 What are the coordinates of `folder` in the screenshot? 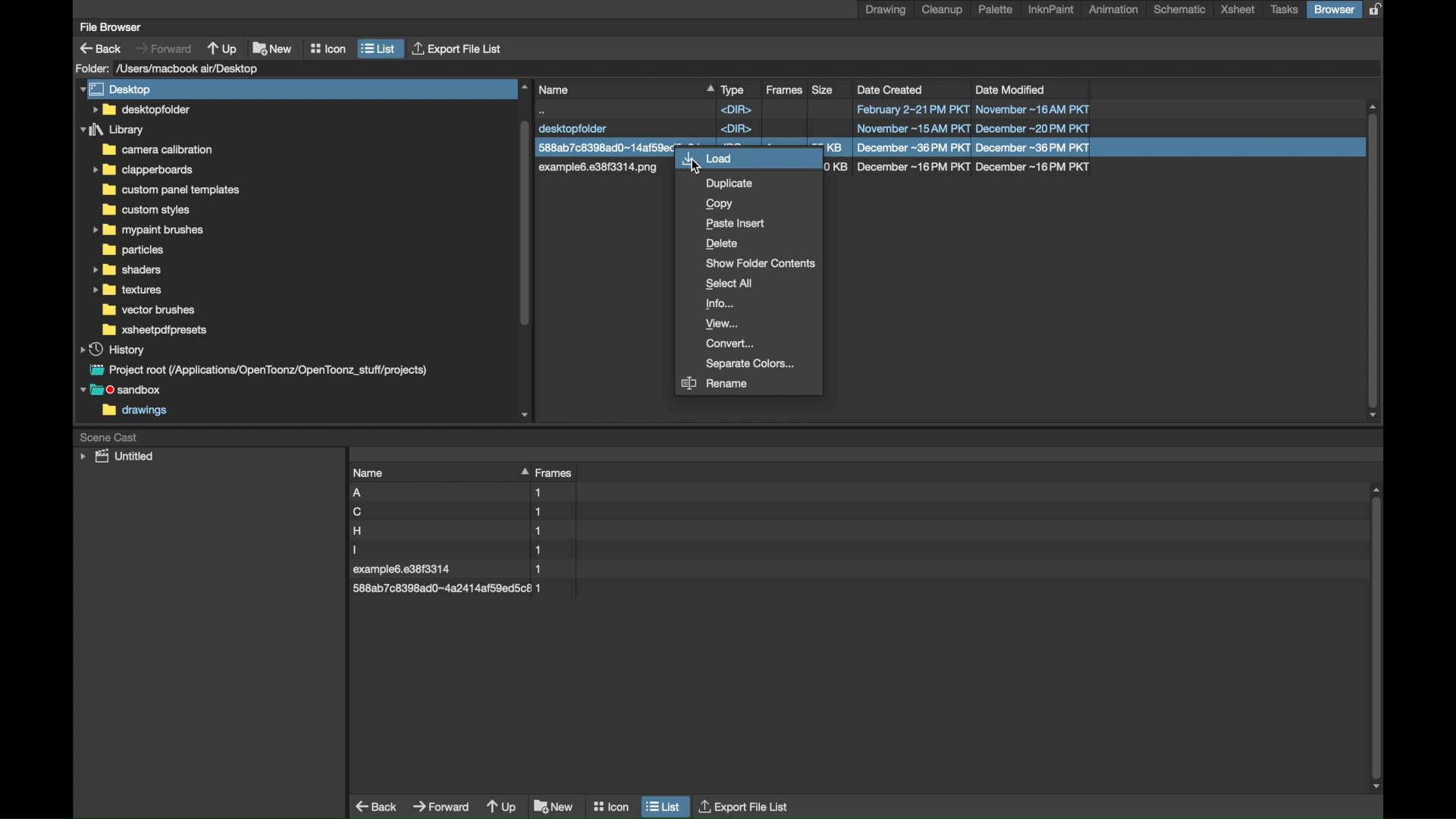 It's located at (174, 190).